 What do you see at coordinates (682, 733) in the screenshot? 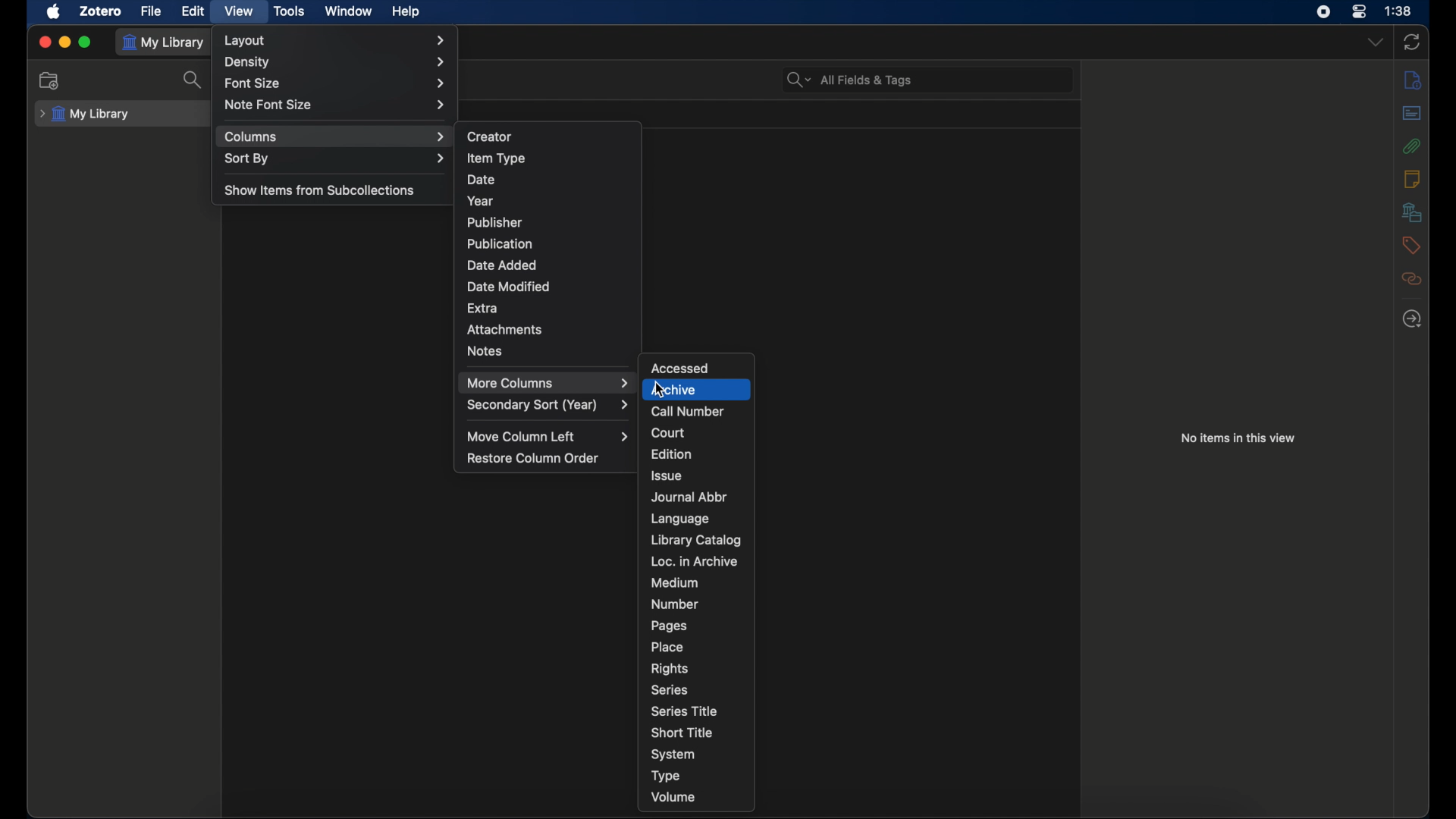
I see `short title` at bounding box center [682, 733].